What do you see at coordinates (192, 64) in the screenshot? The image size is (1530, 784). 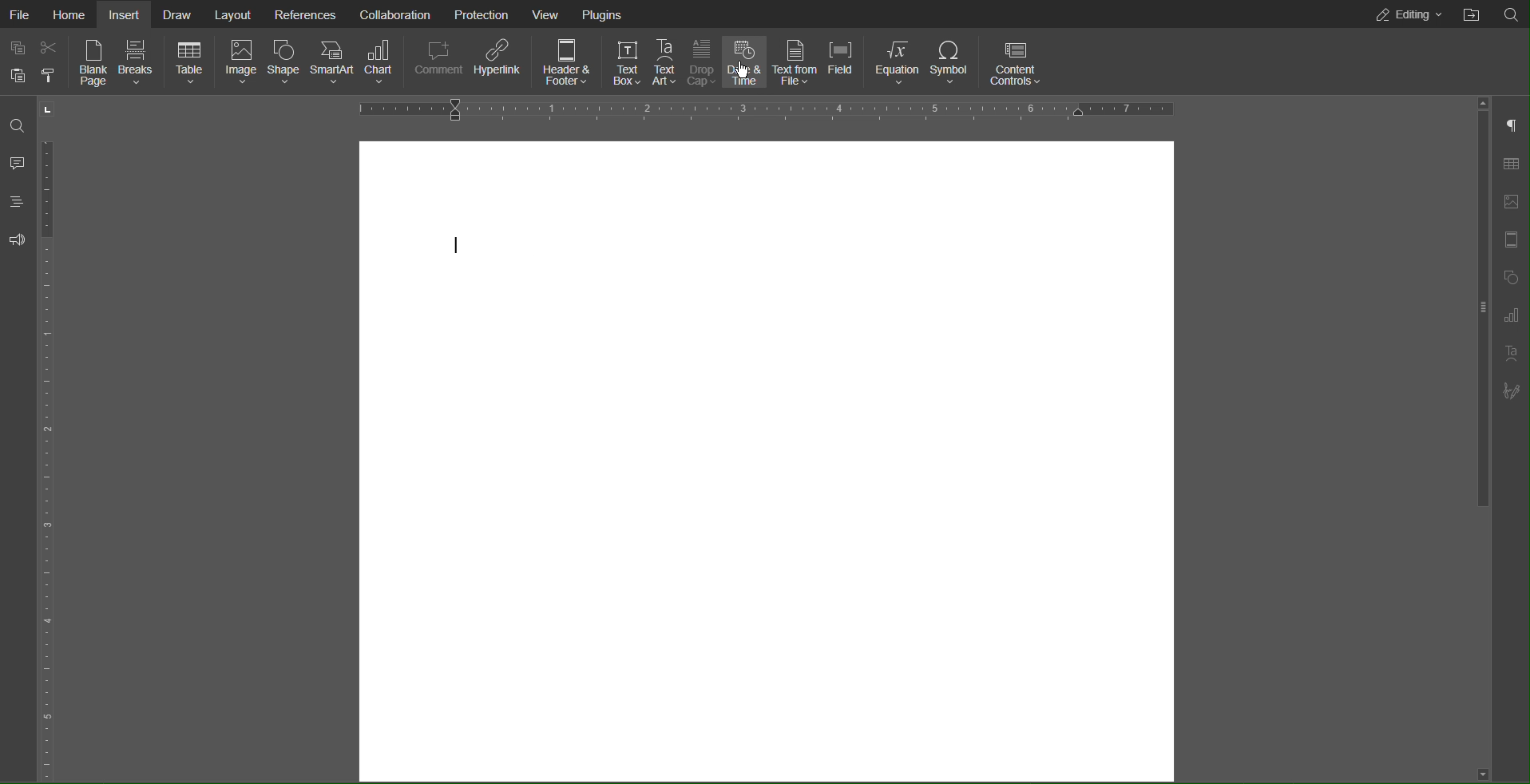 I see `Table` at bounding box center [192, 64].